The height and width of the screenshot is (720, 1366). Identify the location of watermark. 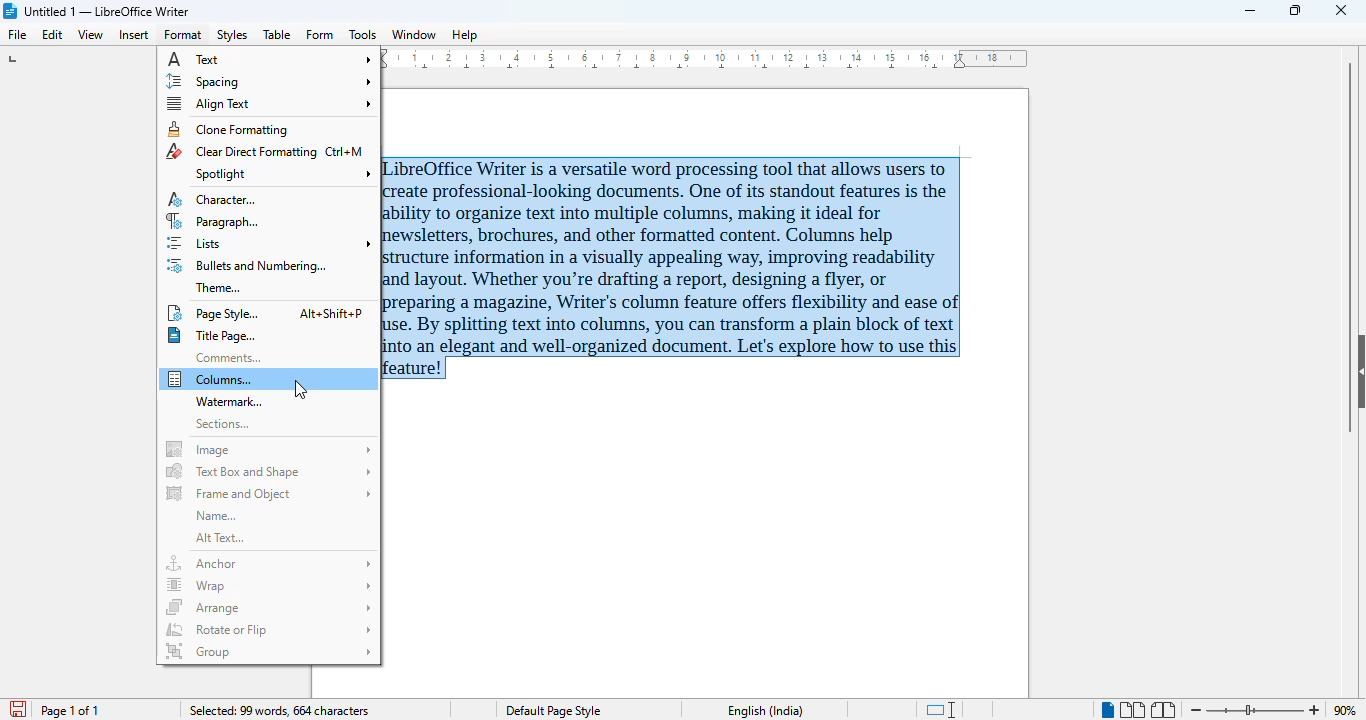
(232, 402).